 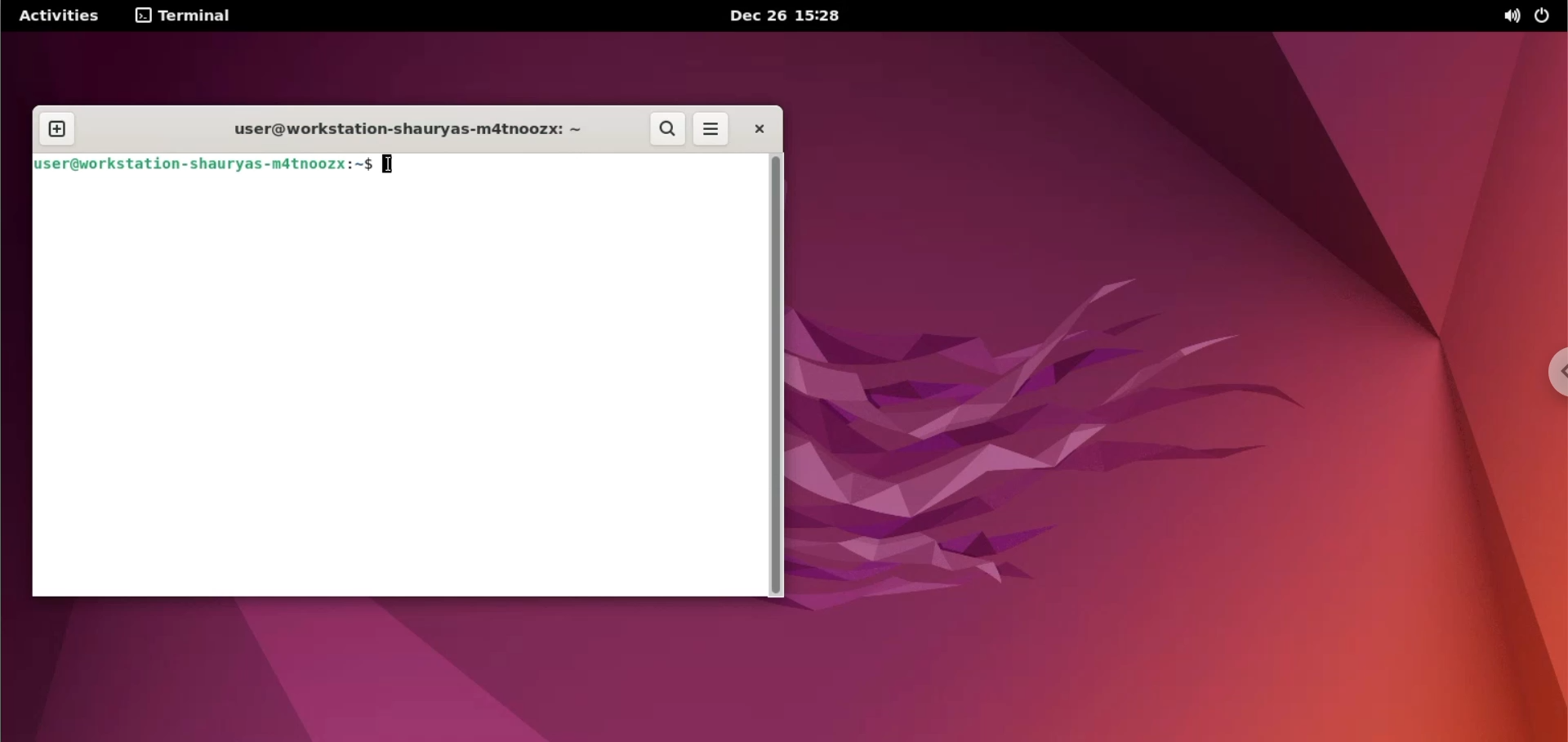 I want to click on user@workstation -shauryas-m4tnoozx:~$, so click(x=203, y=167).